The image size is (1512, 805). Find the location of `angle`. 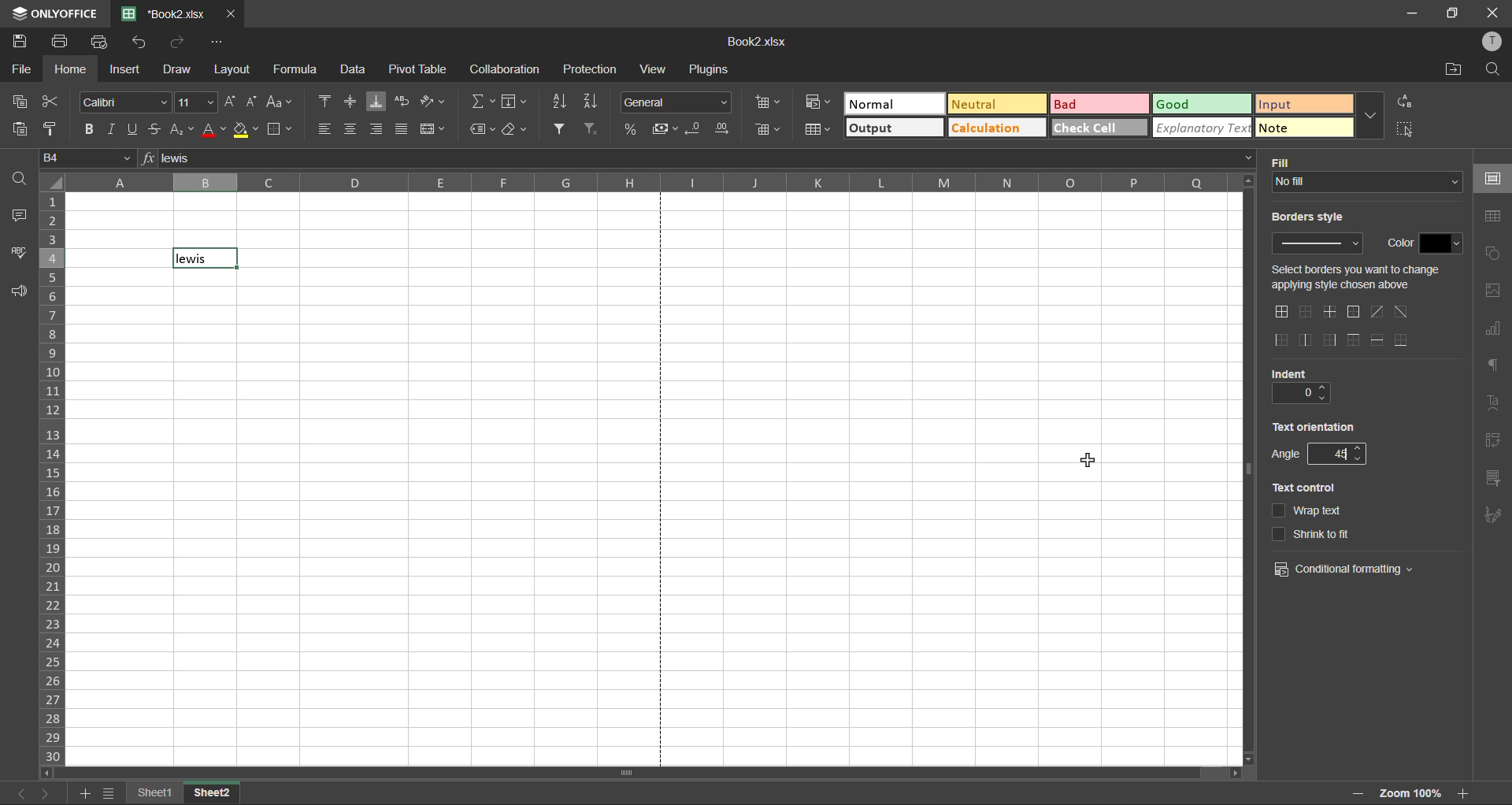

angle is located at coordinates (1284, 456).